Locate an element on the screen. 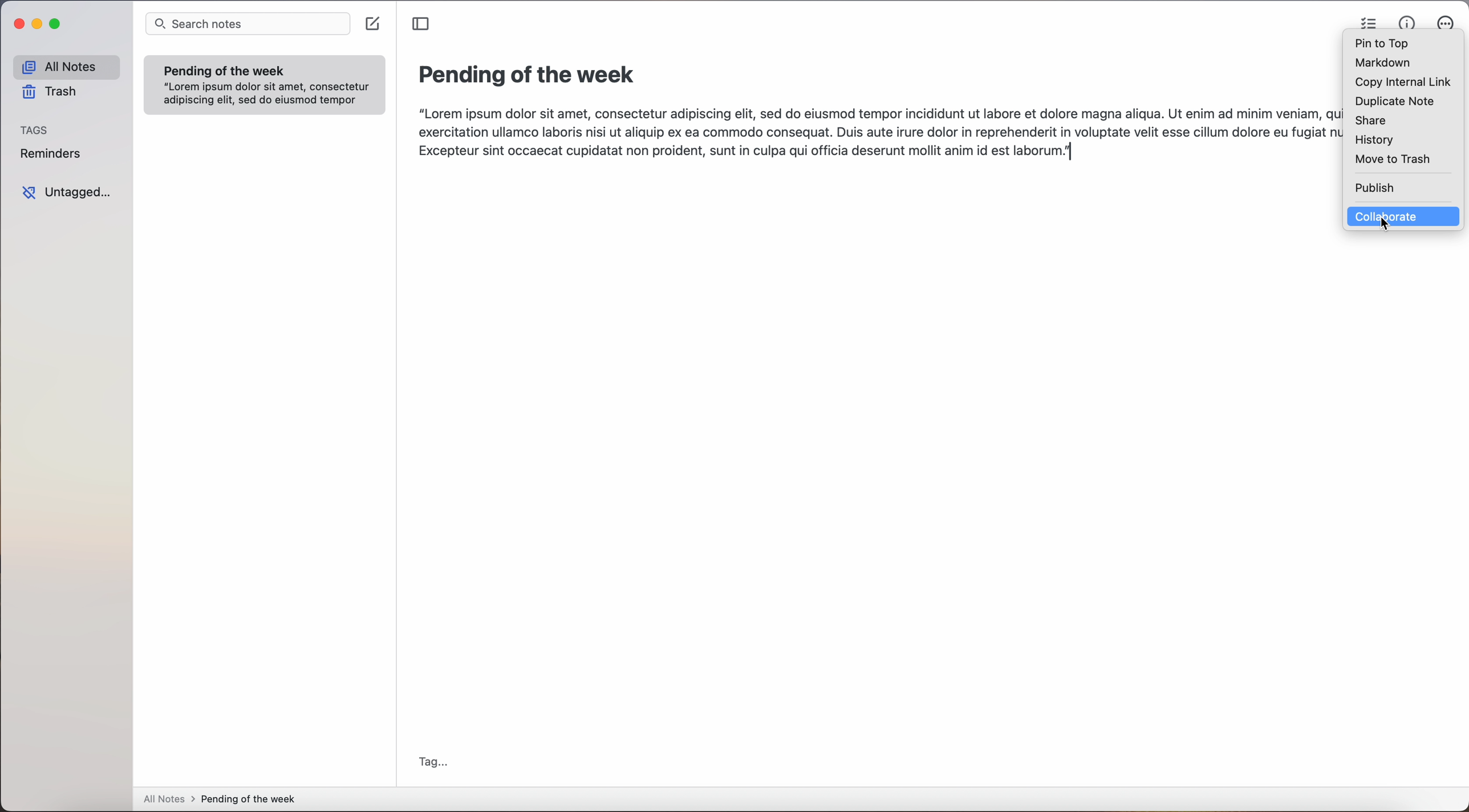  click on more options is located at coordinates (1447, 25).